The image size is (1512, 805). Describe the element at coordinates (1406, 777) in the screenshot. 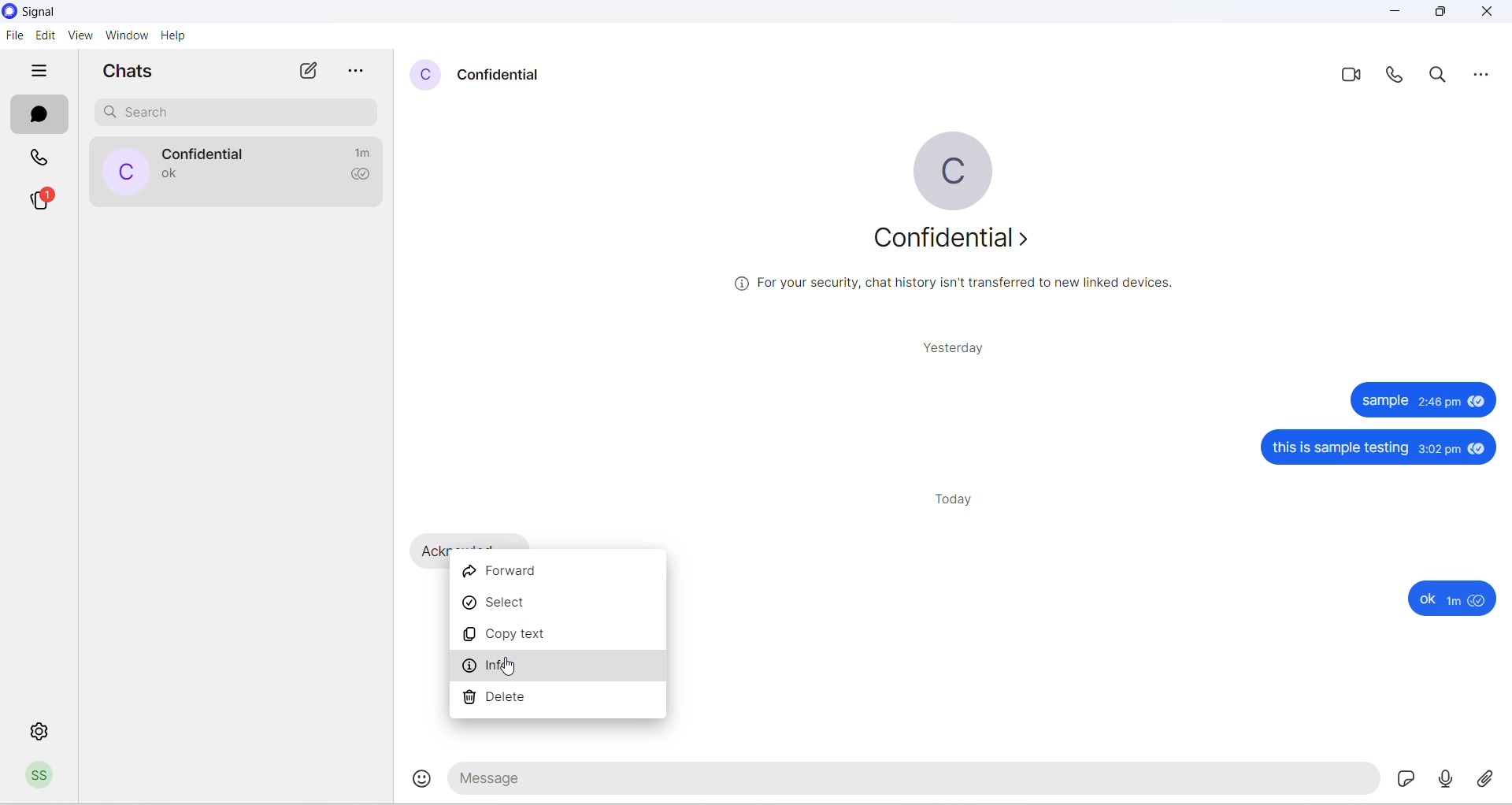

I see `sticker` at that location.